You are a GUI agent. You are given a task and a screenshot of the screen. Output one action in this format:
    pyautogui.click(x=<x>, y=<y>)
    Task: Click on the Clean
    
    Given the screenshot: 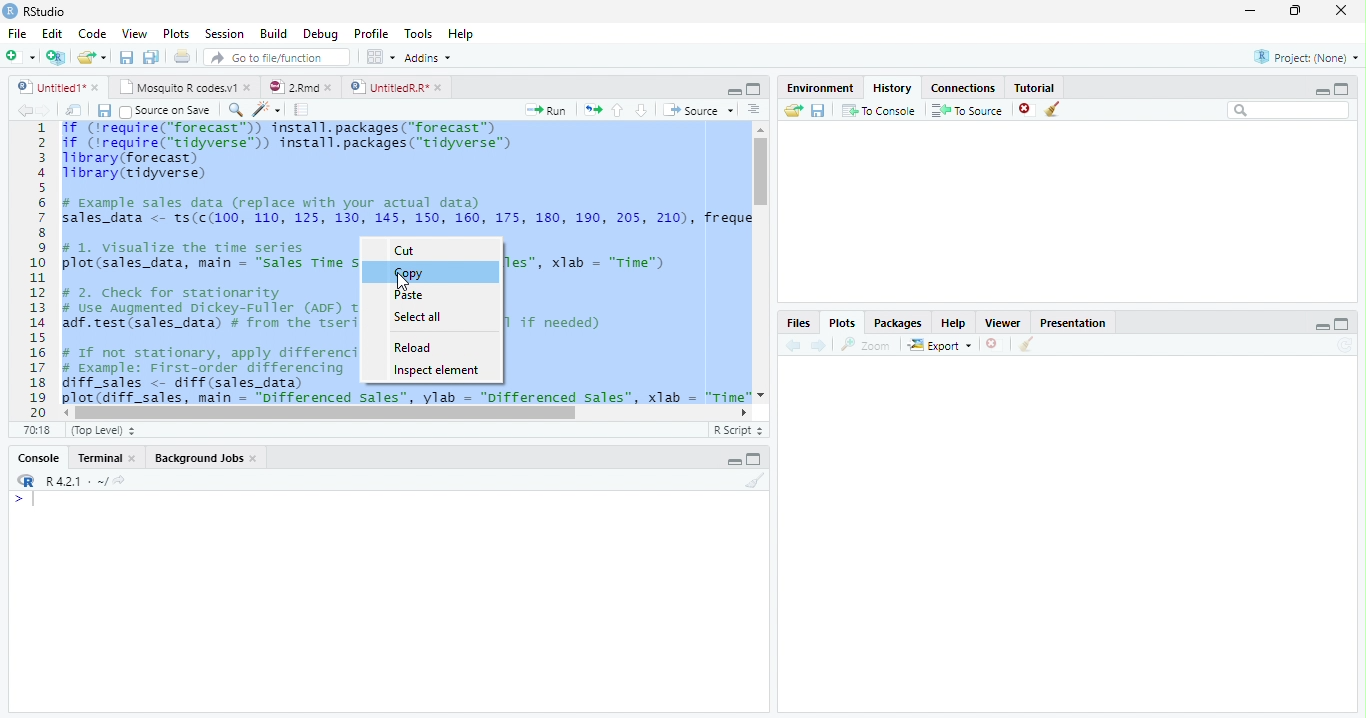 What is the action you would take?
    pyautogui.click(x=1026, y=345)
    